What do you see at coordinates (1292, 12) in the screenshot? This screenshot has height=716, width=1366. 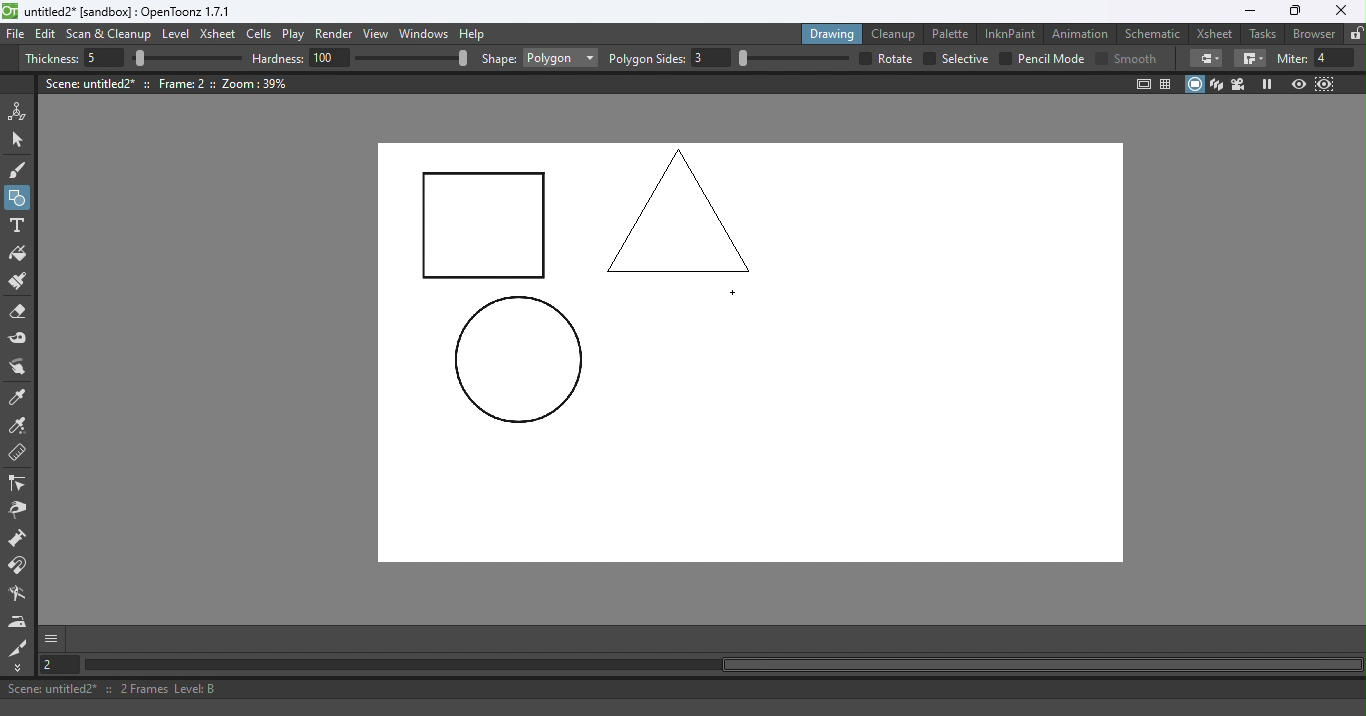 I see `Maximize` at bounding box center [1292, 12].